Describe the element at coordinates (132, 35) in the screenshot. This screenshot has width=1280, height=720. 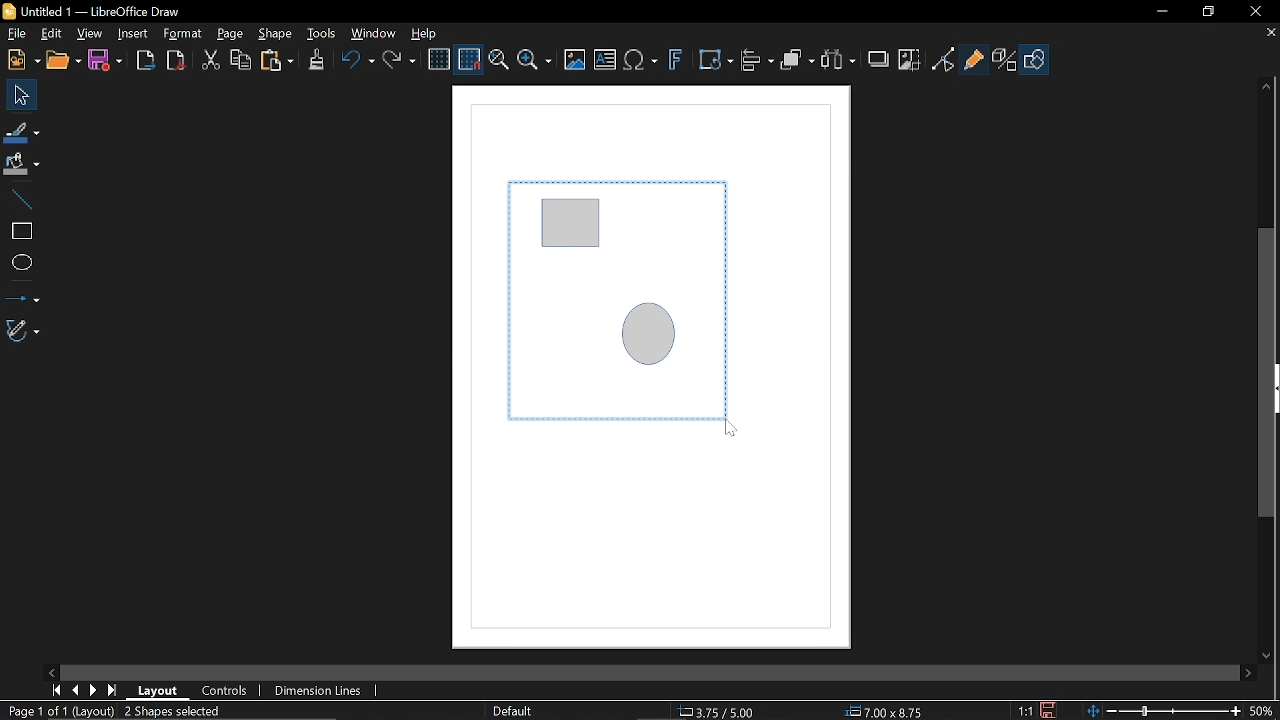
I see `Insert` at that location.